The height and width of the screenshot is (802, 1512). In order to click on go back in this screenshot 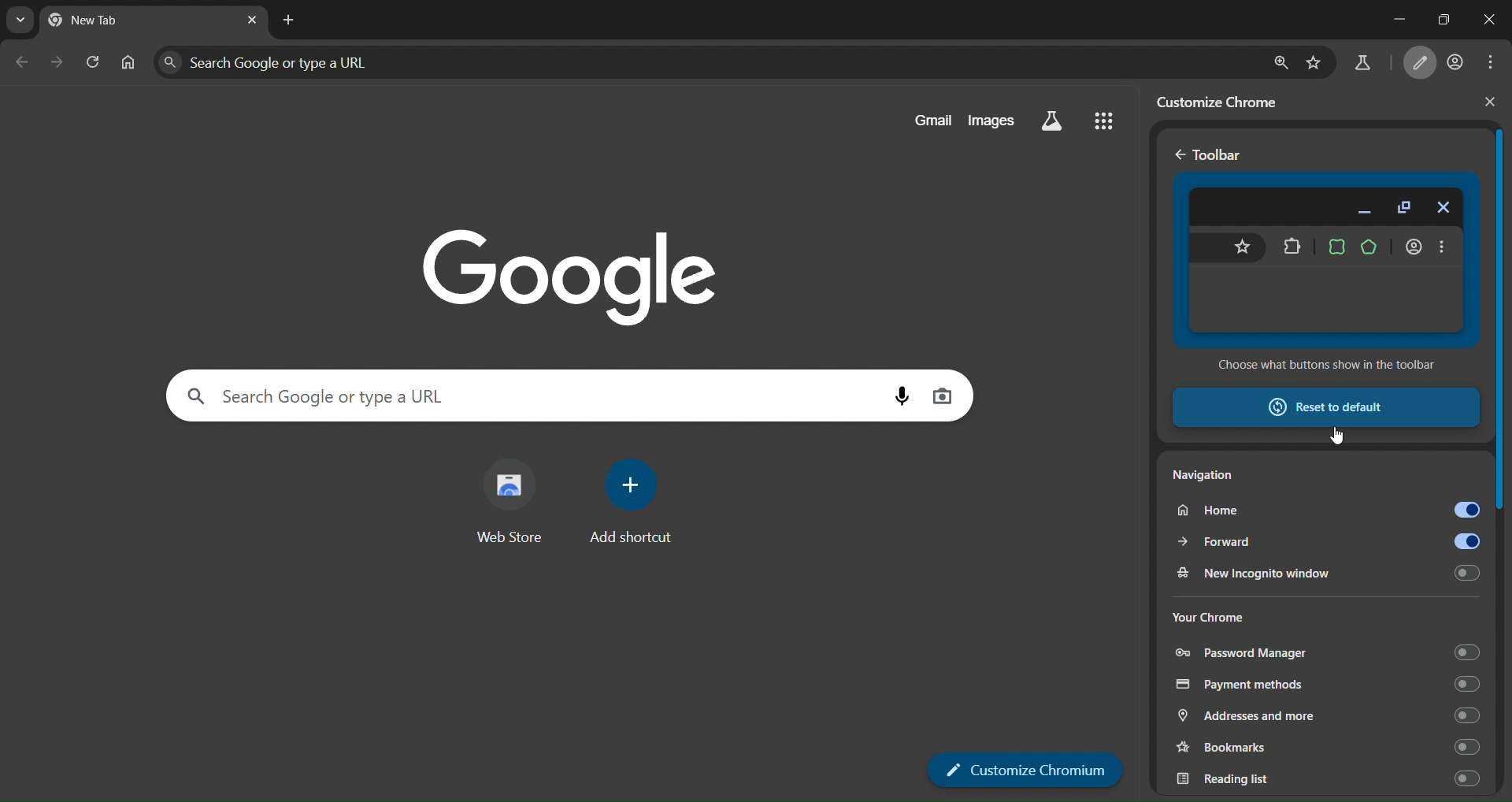, I will do `click(1178, 156)`.